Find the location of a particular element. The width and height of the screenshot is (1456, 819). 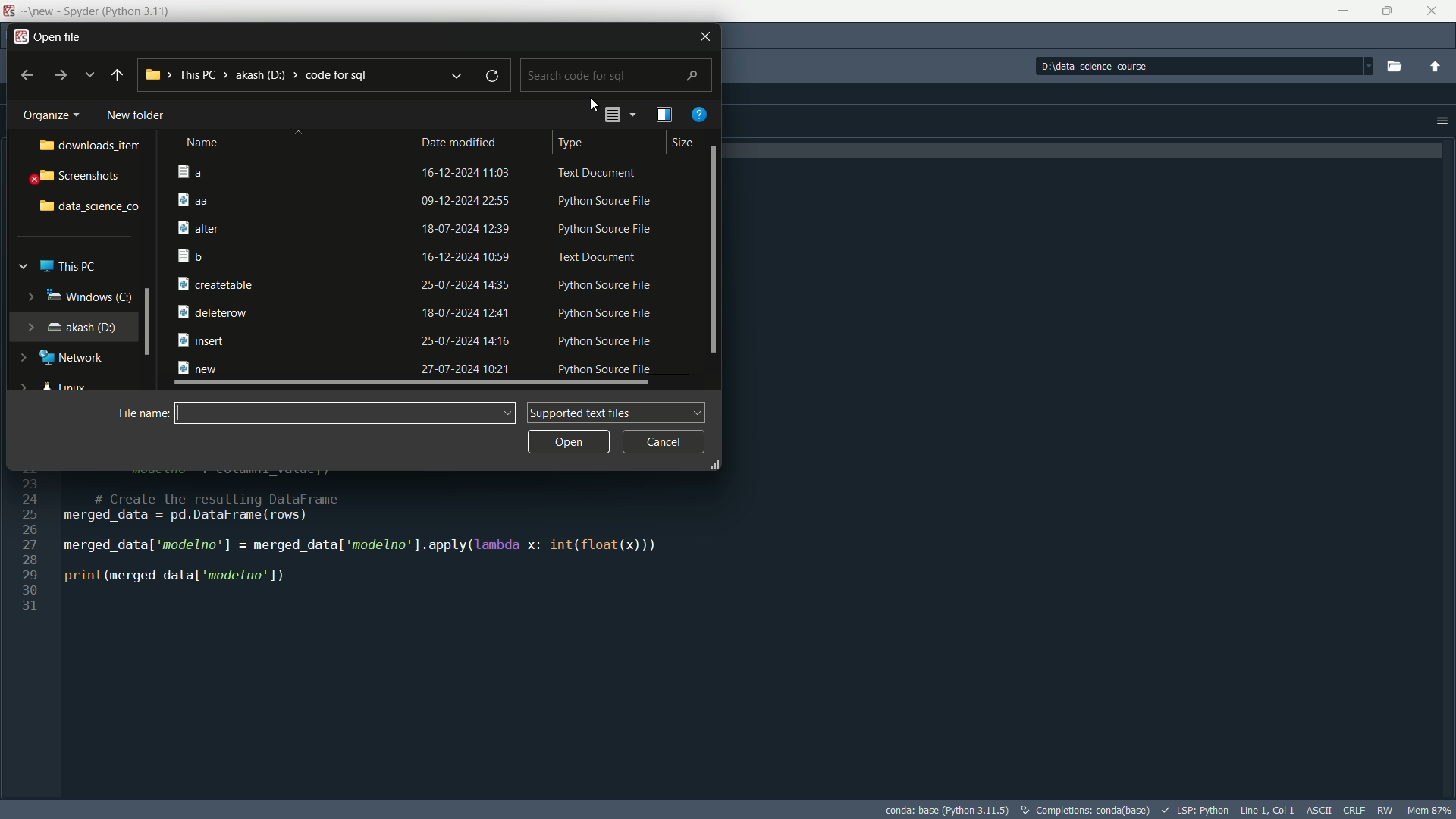

file-8 is located at coordinates (416, 371).